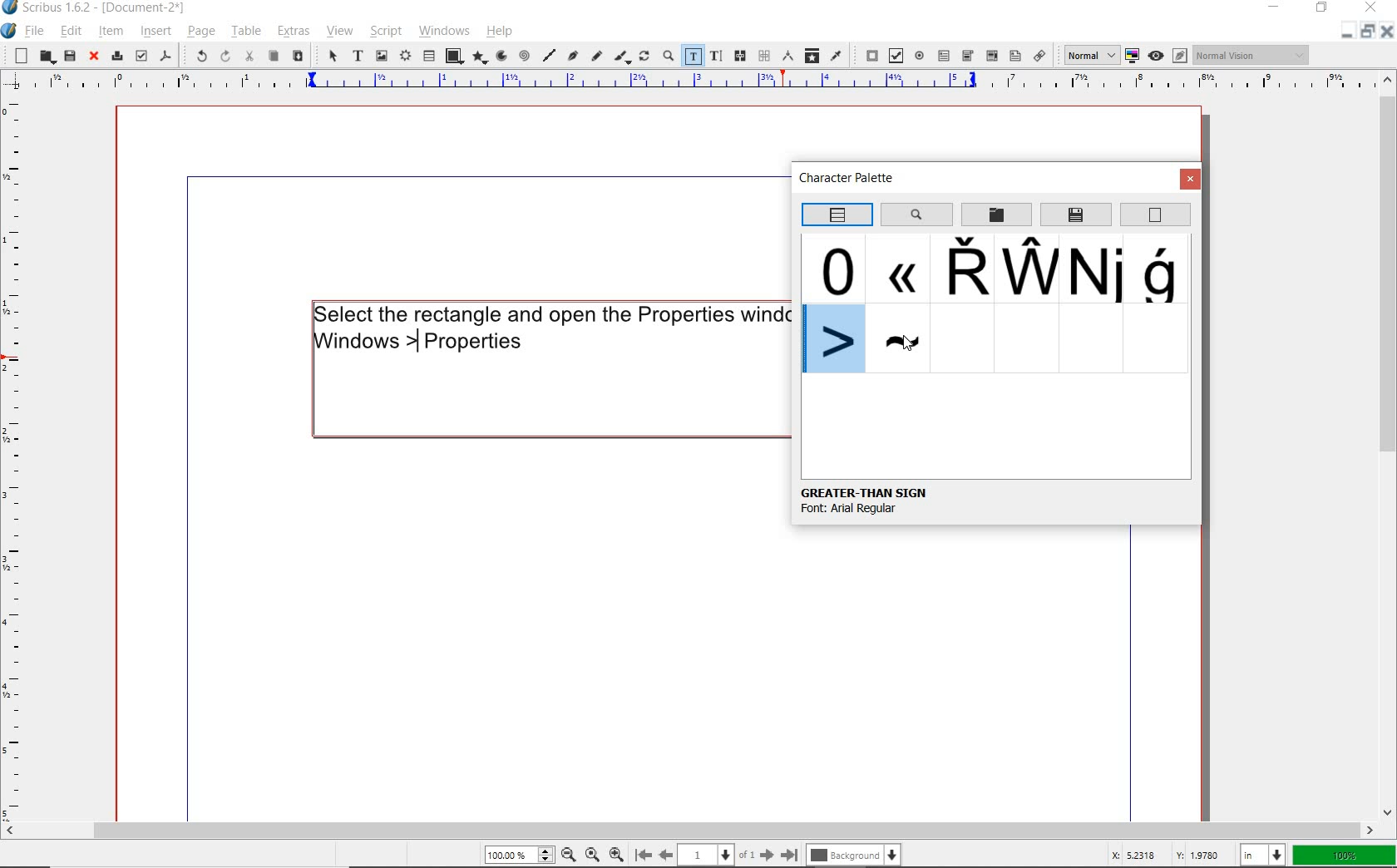  I want to click on got to previous page, so click(666, 855).